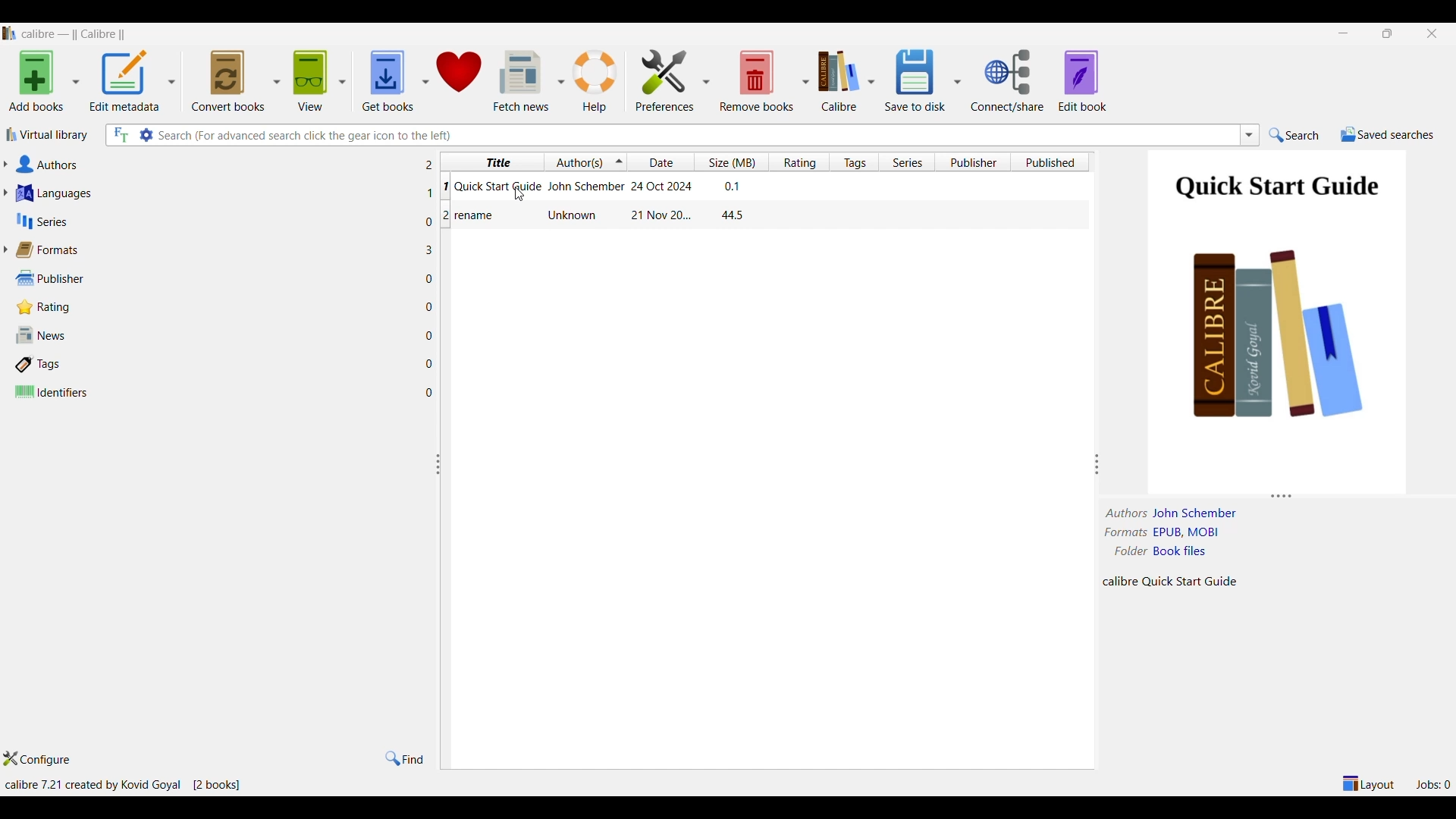  Describe the element at coordinates (145, 135) in the screenshot. I see `Advanced search` at that location.